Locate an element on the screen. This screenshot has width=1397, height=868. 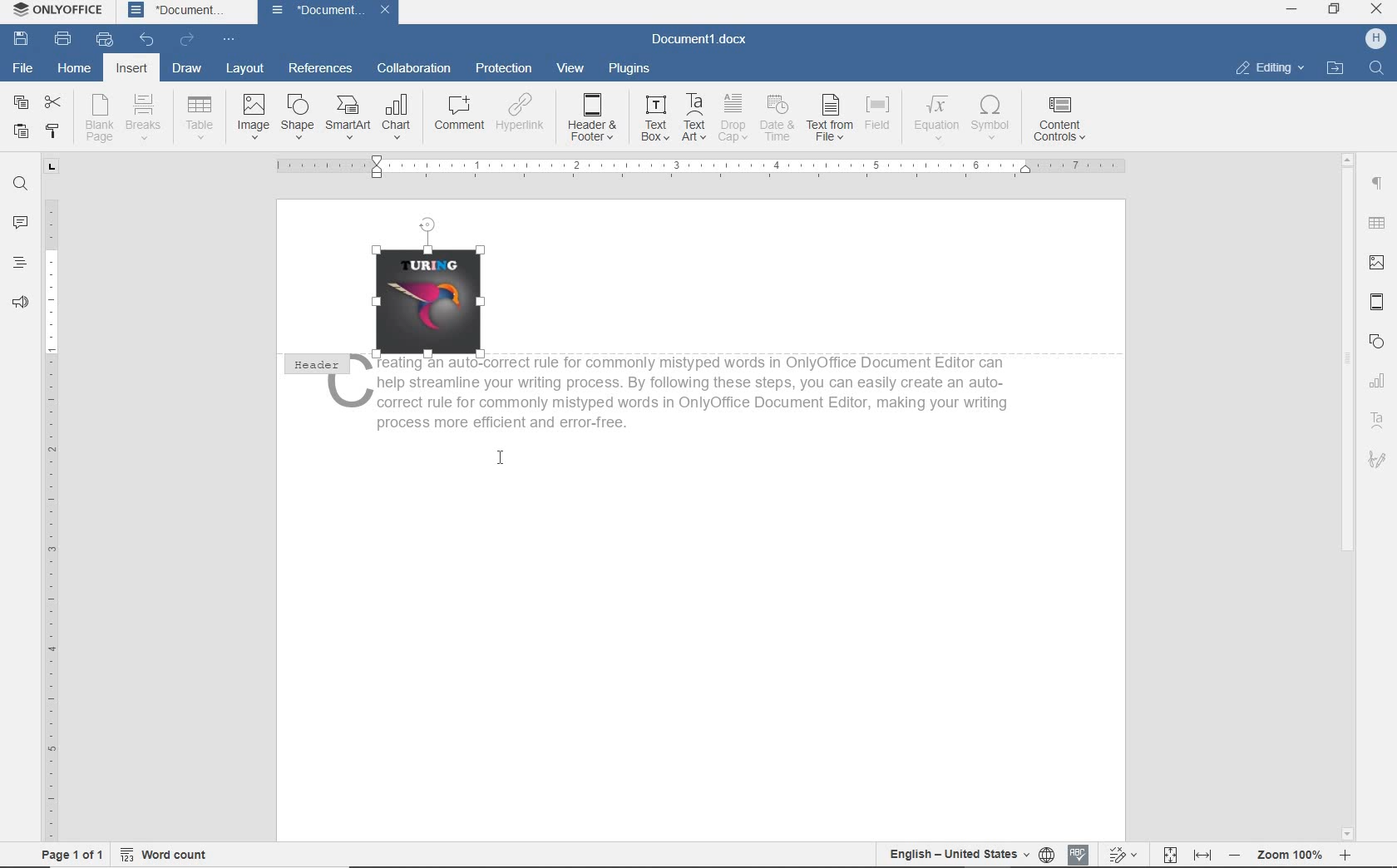
text area is located at coordinates (1378, 420).